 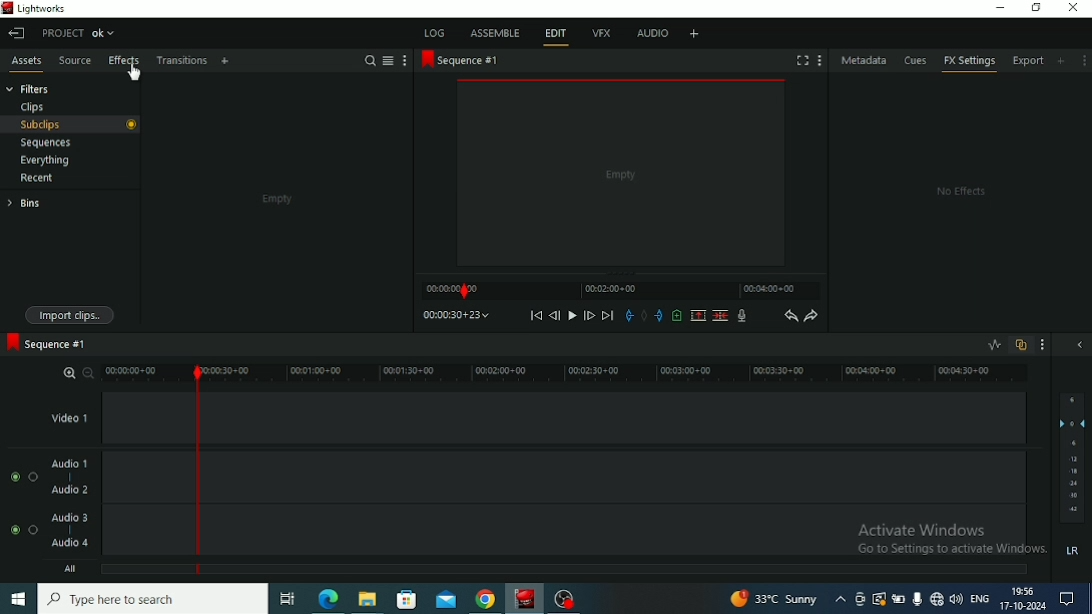 What do you see at coordinates (435, 32) in the screenshot?
I see `Log` at bounding box center [435, 32].